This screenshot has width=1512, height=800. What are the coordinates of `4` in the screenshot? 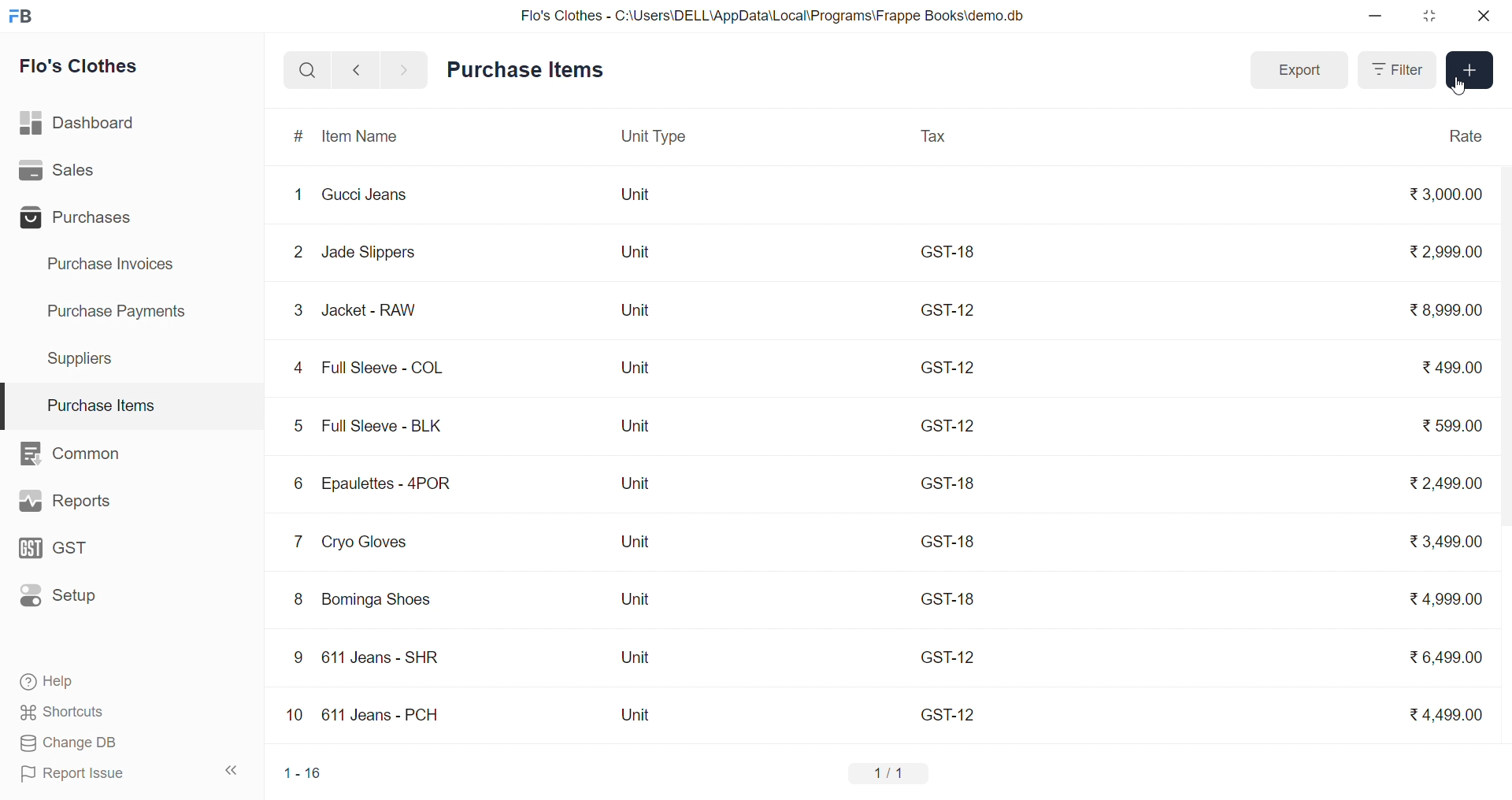 It's located at (298, 367).